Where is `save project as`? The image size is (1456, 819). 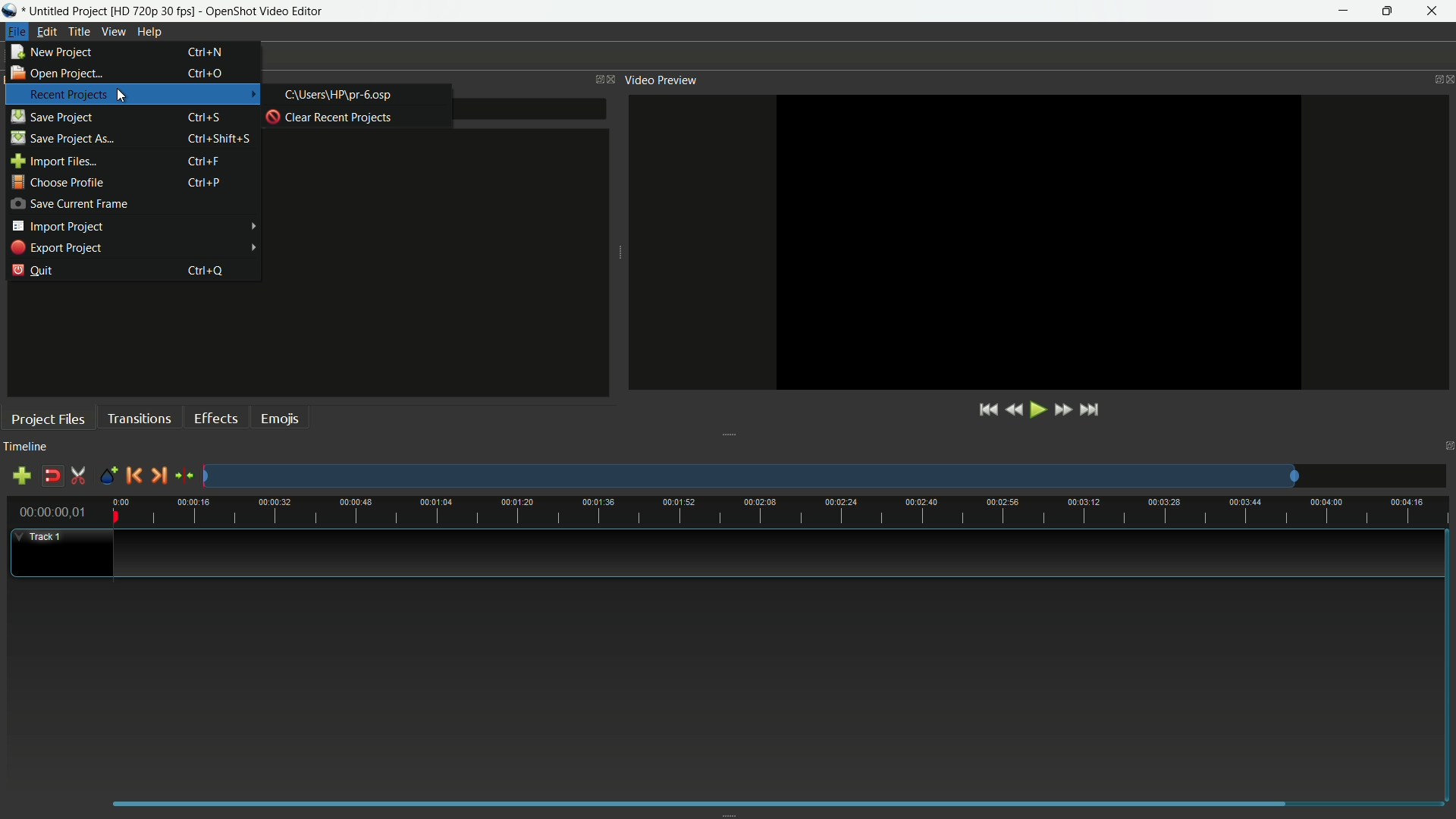
save project as is located at coordinates (62, 138).